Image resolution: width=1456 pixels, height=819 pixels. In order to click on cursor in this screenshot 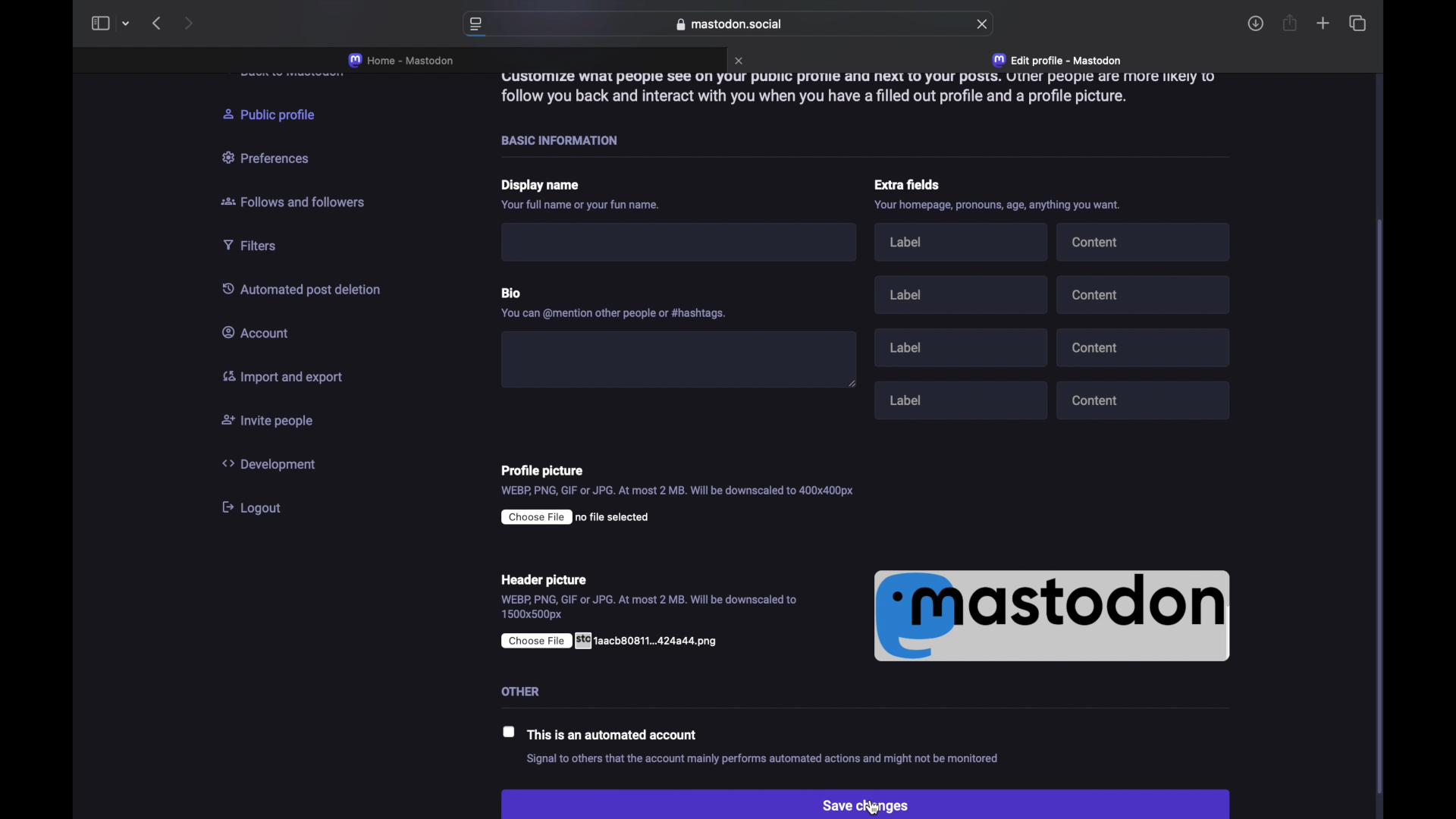, I will do `click(878, 806)`.